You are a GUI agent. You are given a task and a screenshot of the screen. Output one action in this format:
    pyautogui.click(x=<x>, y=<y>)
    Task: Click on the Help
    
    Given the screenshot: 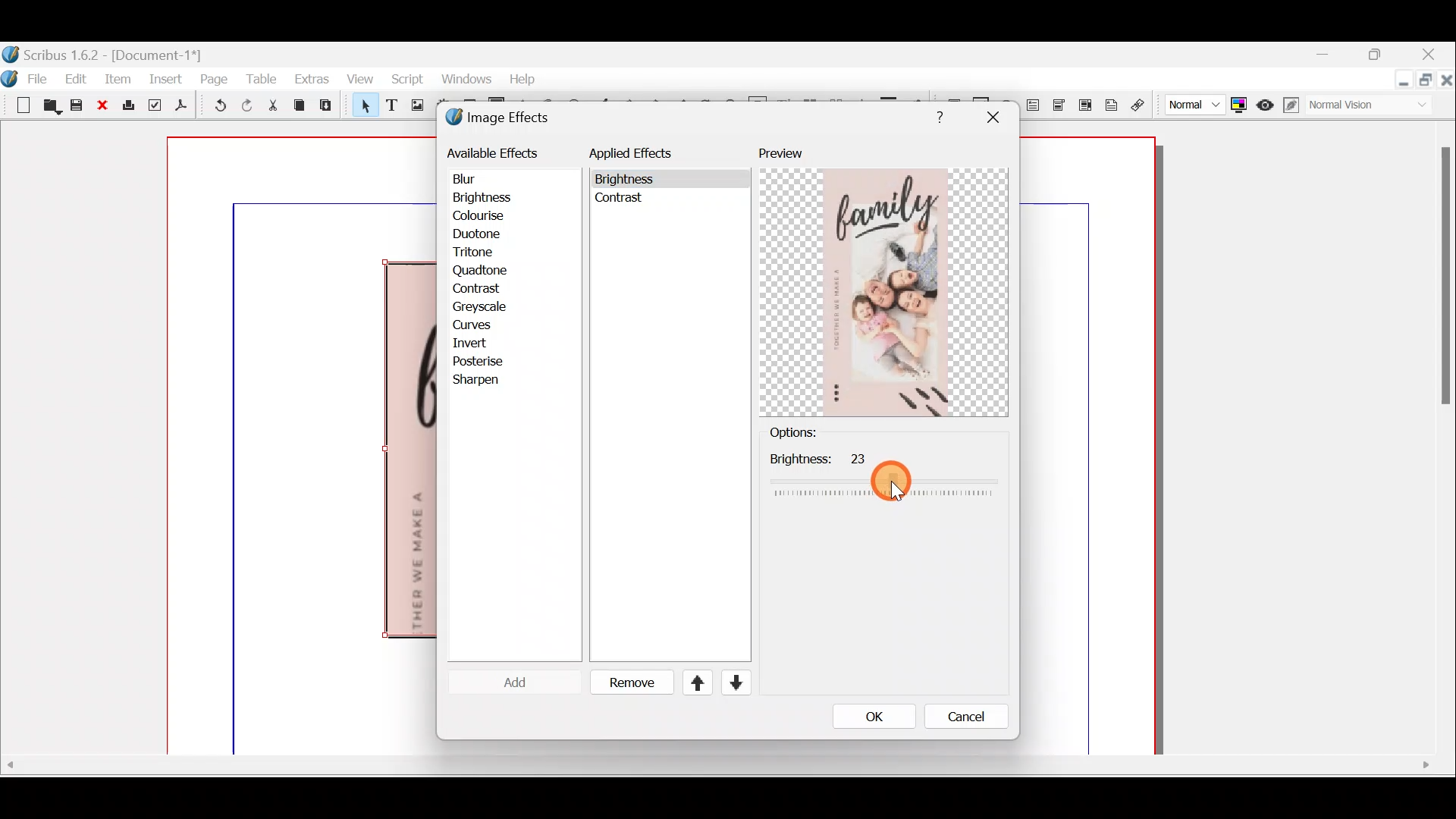 What is the action you would take?
    pyautogui.click(x=522, y=77)
    